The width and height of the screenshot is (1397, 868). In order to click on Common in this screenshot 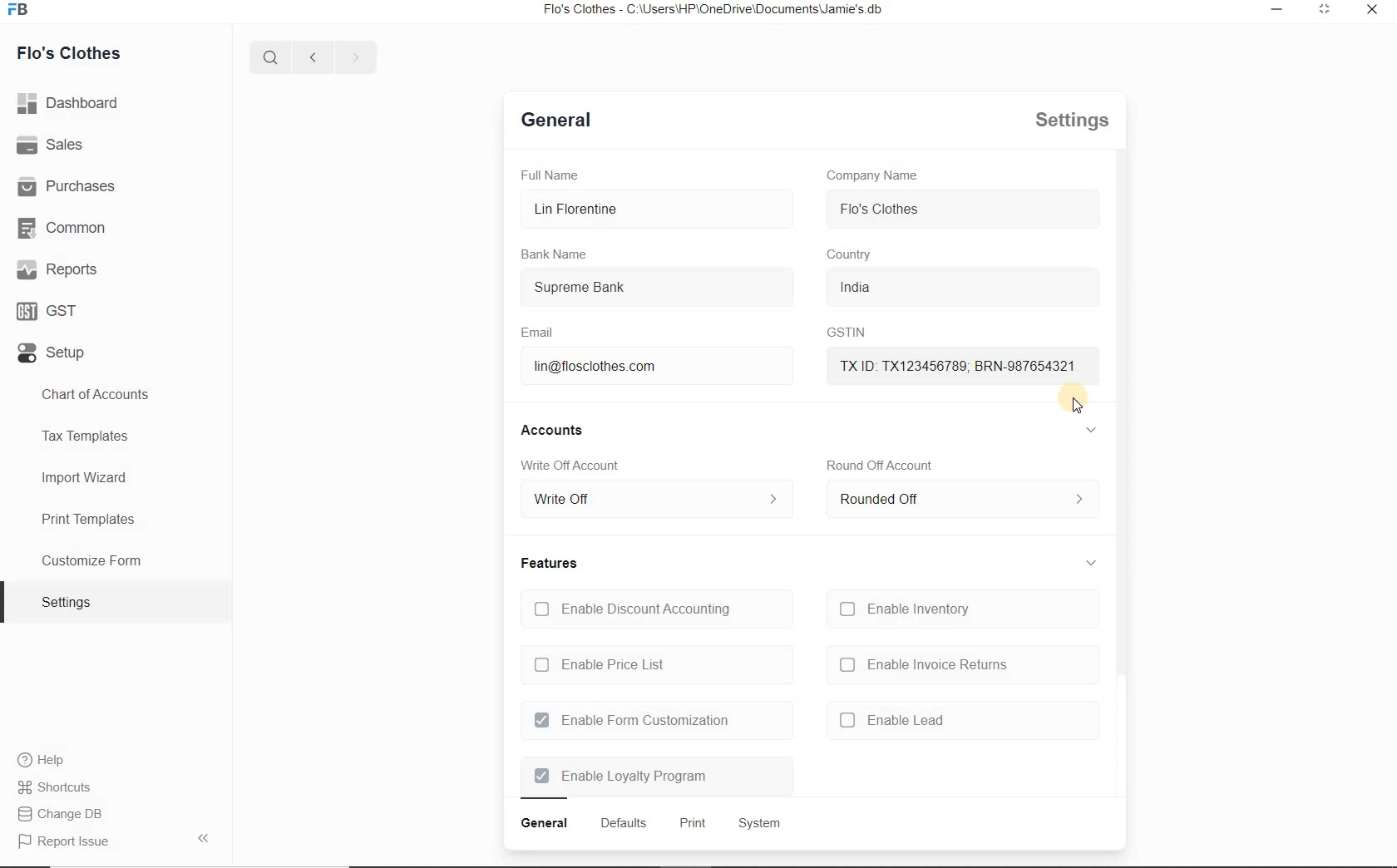, I will do `click(66, 229)`.